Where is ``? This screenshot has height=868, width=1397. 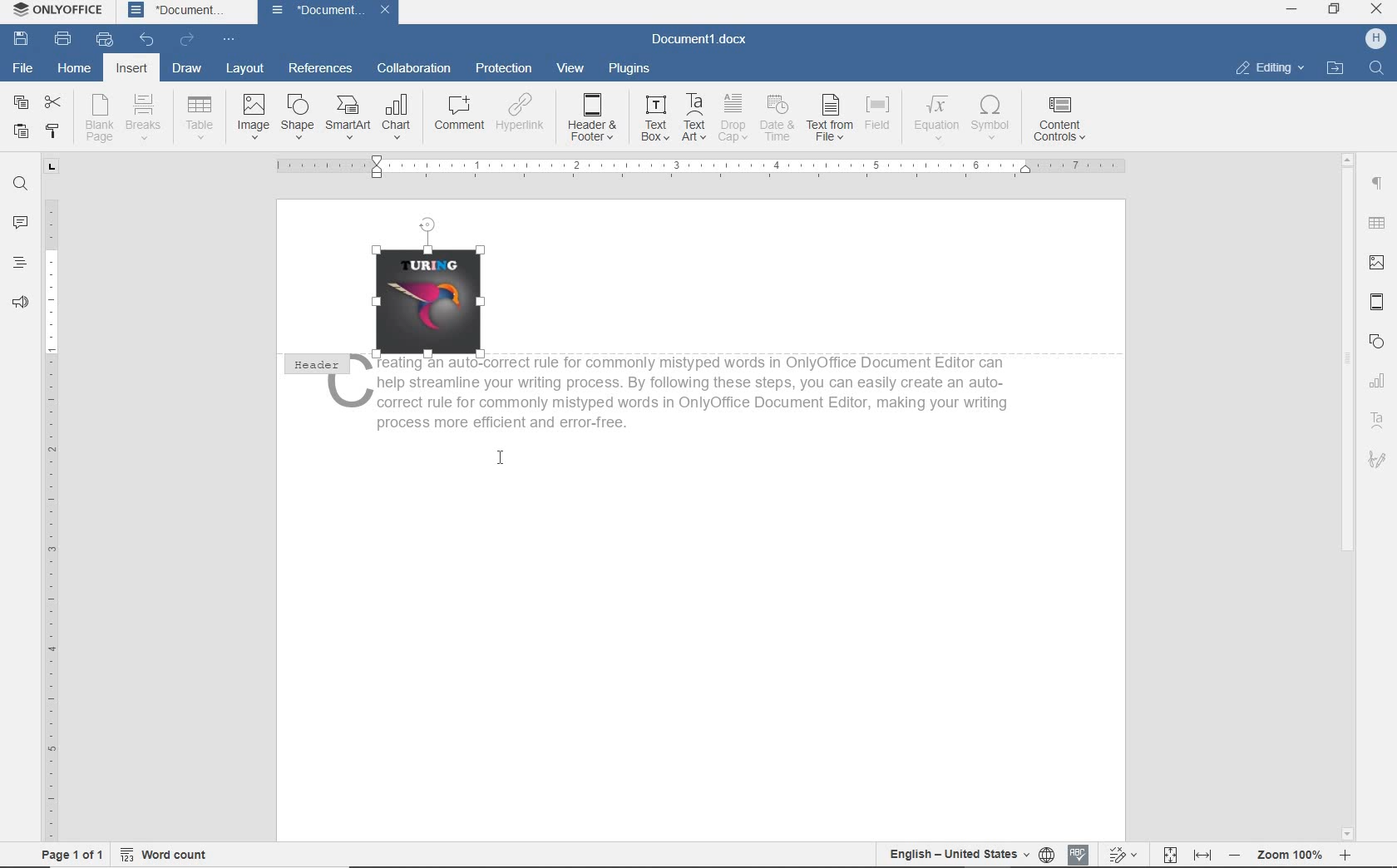  is located at coordinates (151, 113).